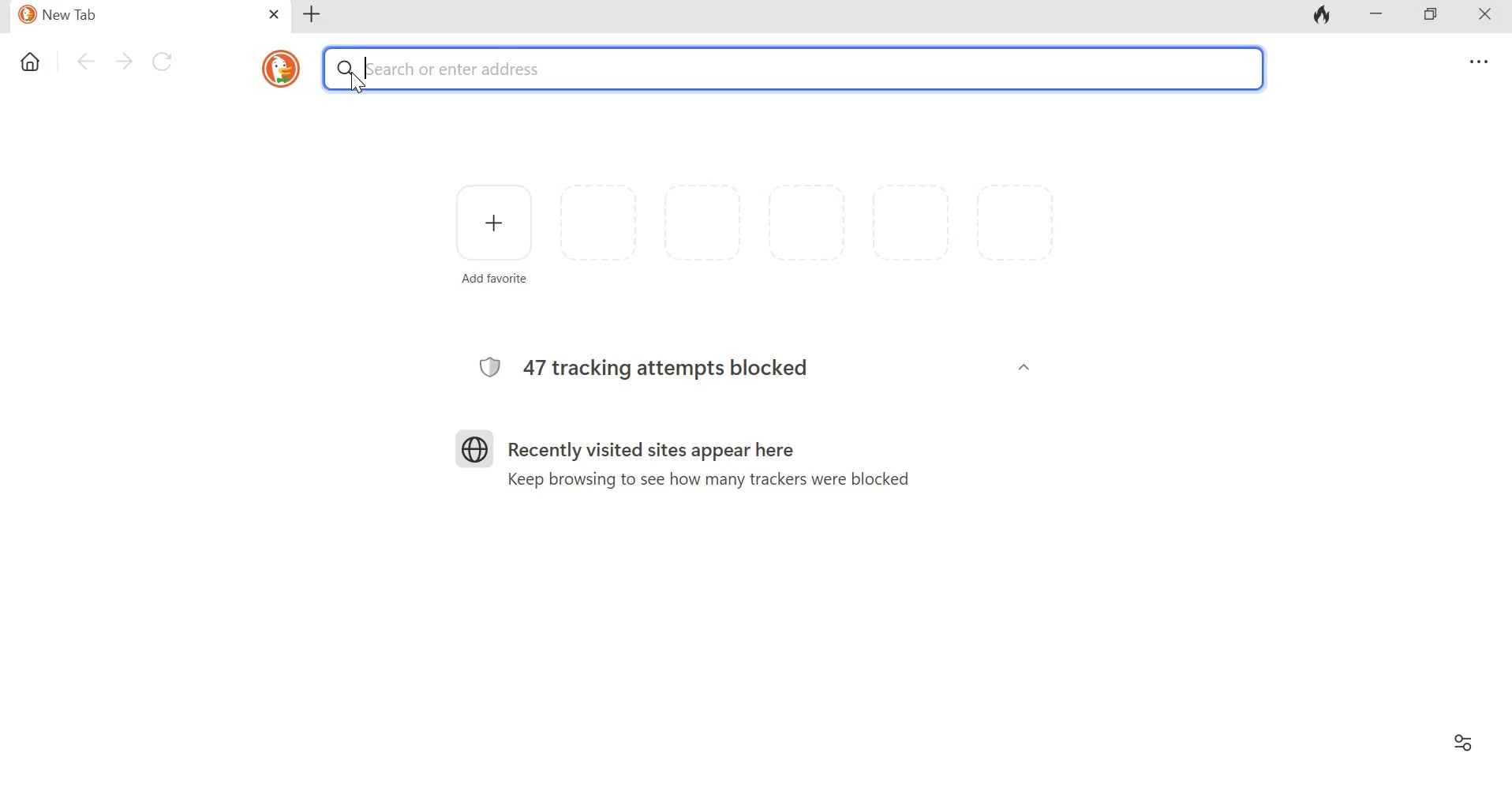 This screenshot has width=1512, height=791. I want to click on Filter settings, so click(1466, 742).